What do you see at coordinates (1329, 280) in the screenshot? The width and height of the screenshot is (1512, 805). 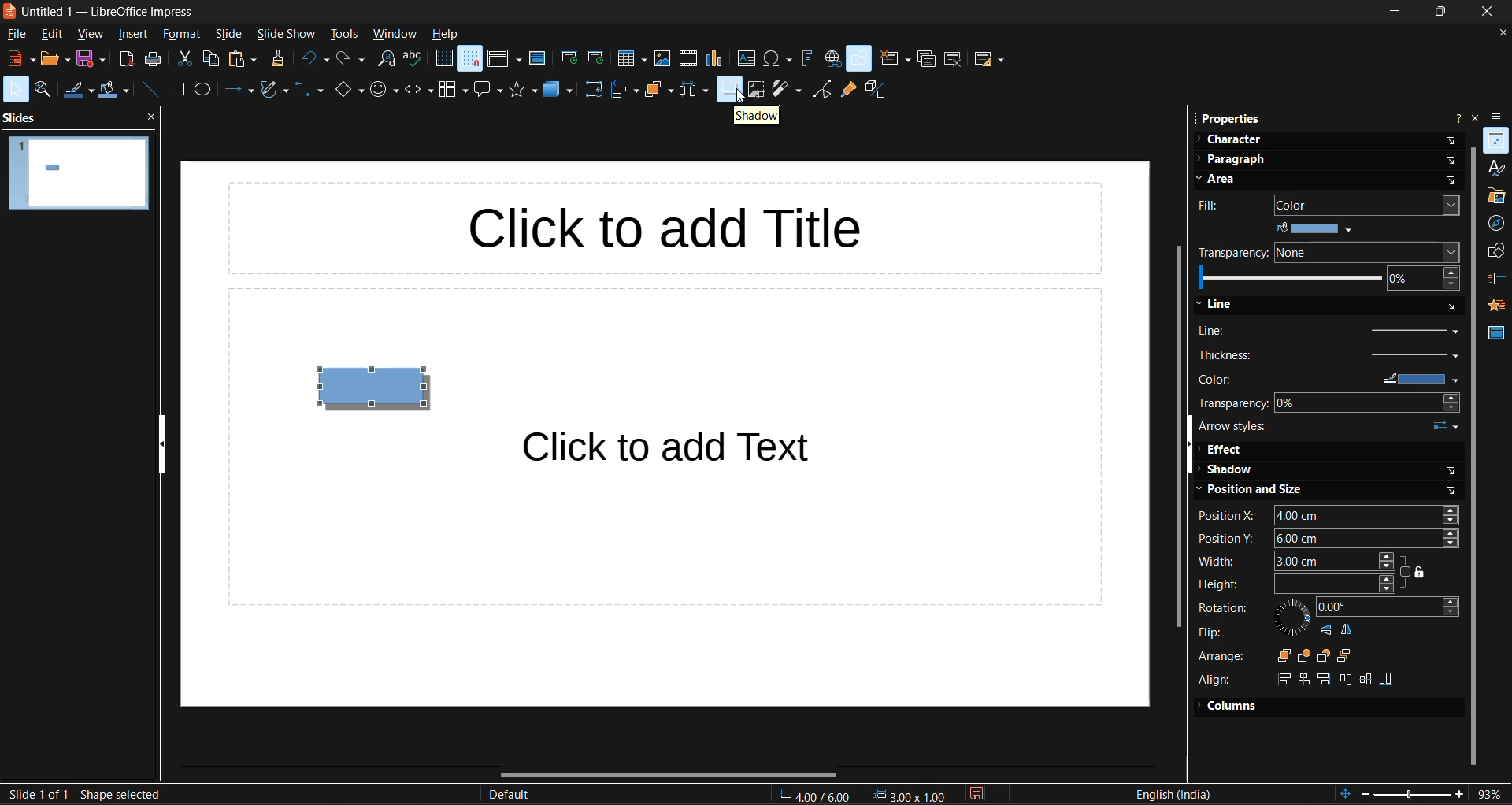 I see `specify transparency or fully opaque` at bounding box center [1329, 280].